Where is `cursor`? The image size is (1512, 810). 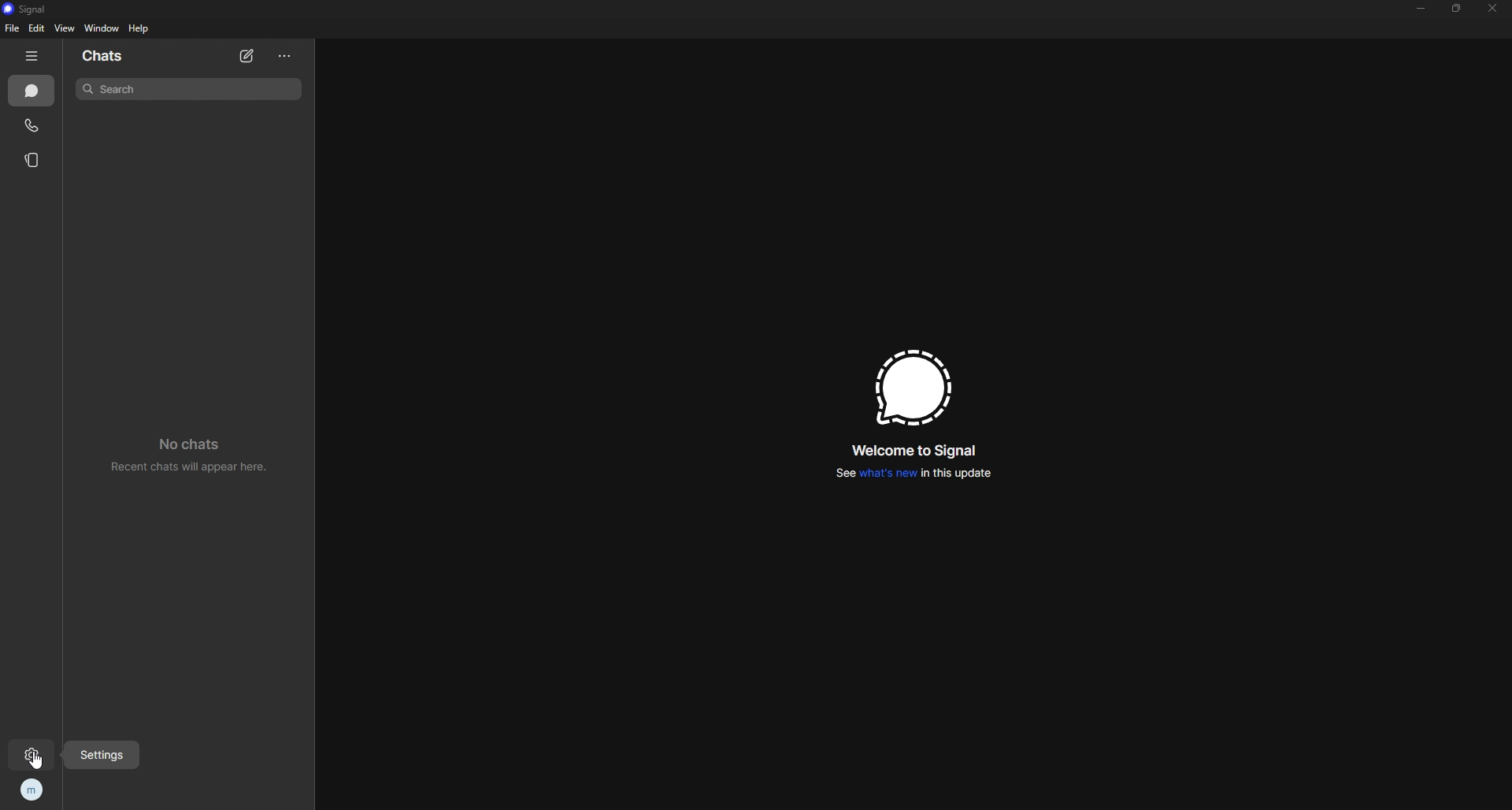
cursor is located at coordinates (39, 761).